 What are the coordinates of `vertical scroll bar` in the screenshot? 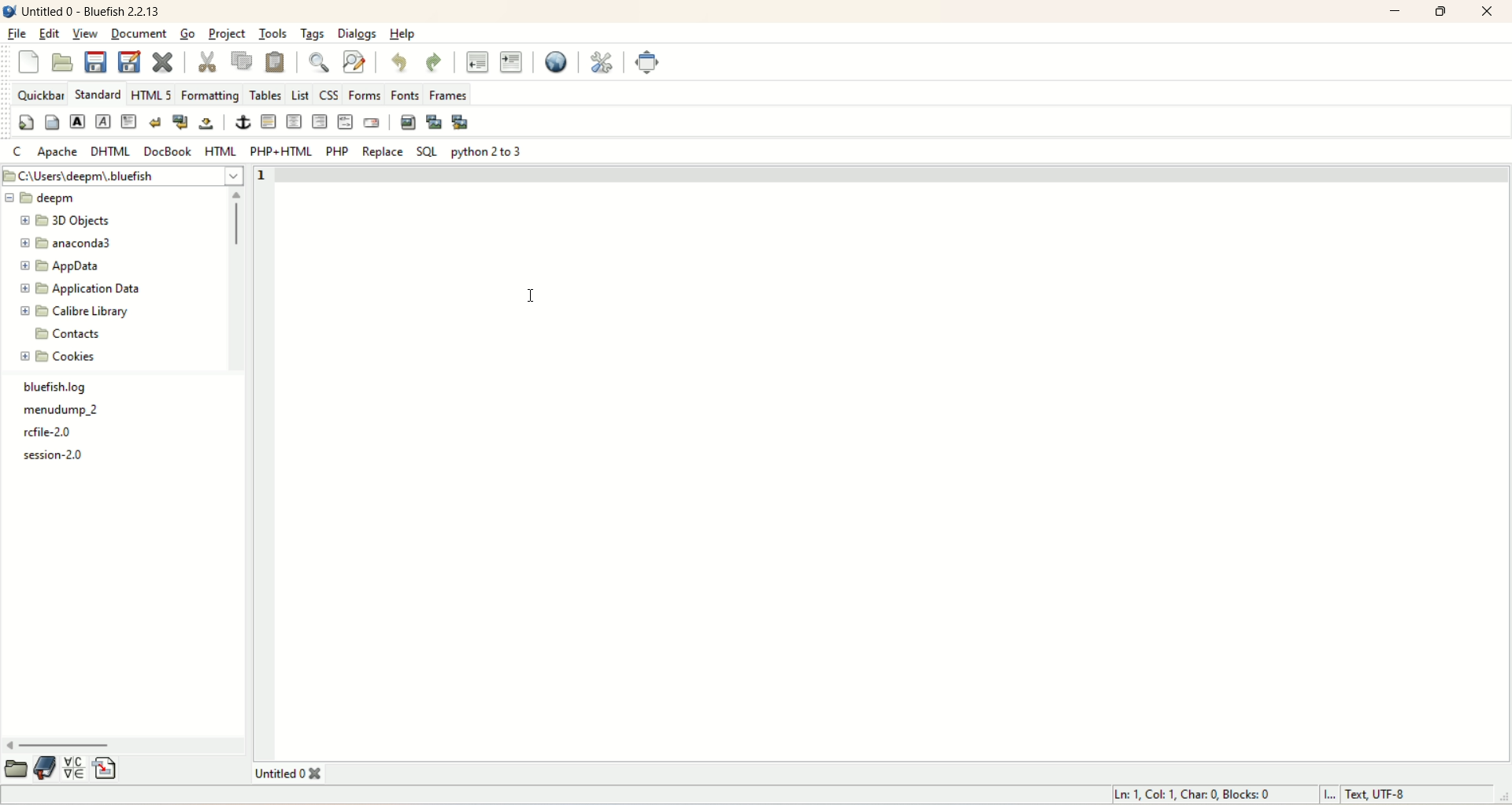 It's located at (236, 280).